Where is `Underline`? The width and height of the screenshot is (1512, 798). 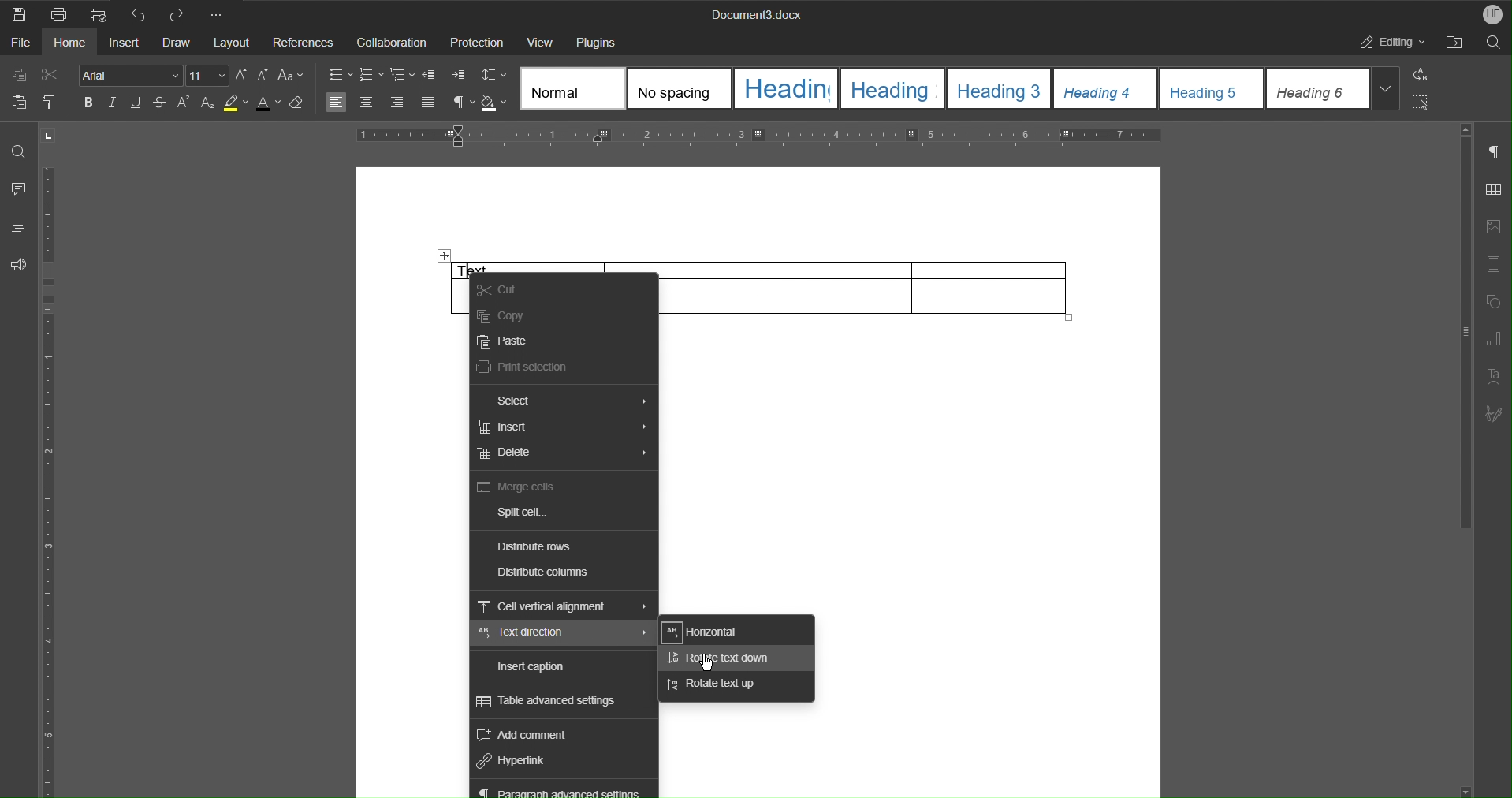
Underline is located at coordinates (136, 103).